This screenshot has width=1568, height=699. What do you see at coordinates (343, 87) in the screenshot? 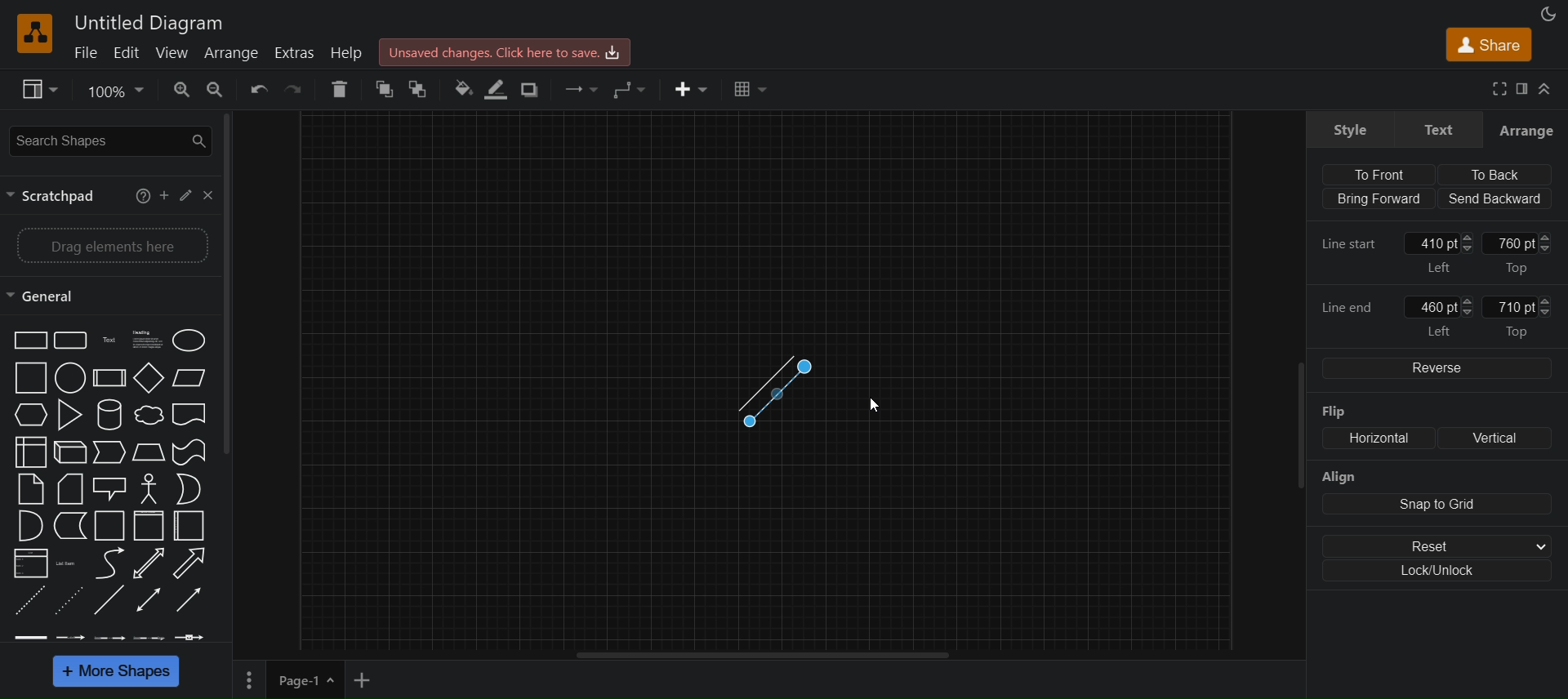
I see `delete` at bounding box center [343, 87].